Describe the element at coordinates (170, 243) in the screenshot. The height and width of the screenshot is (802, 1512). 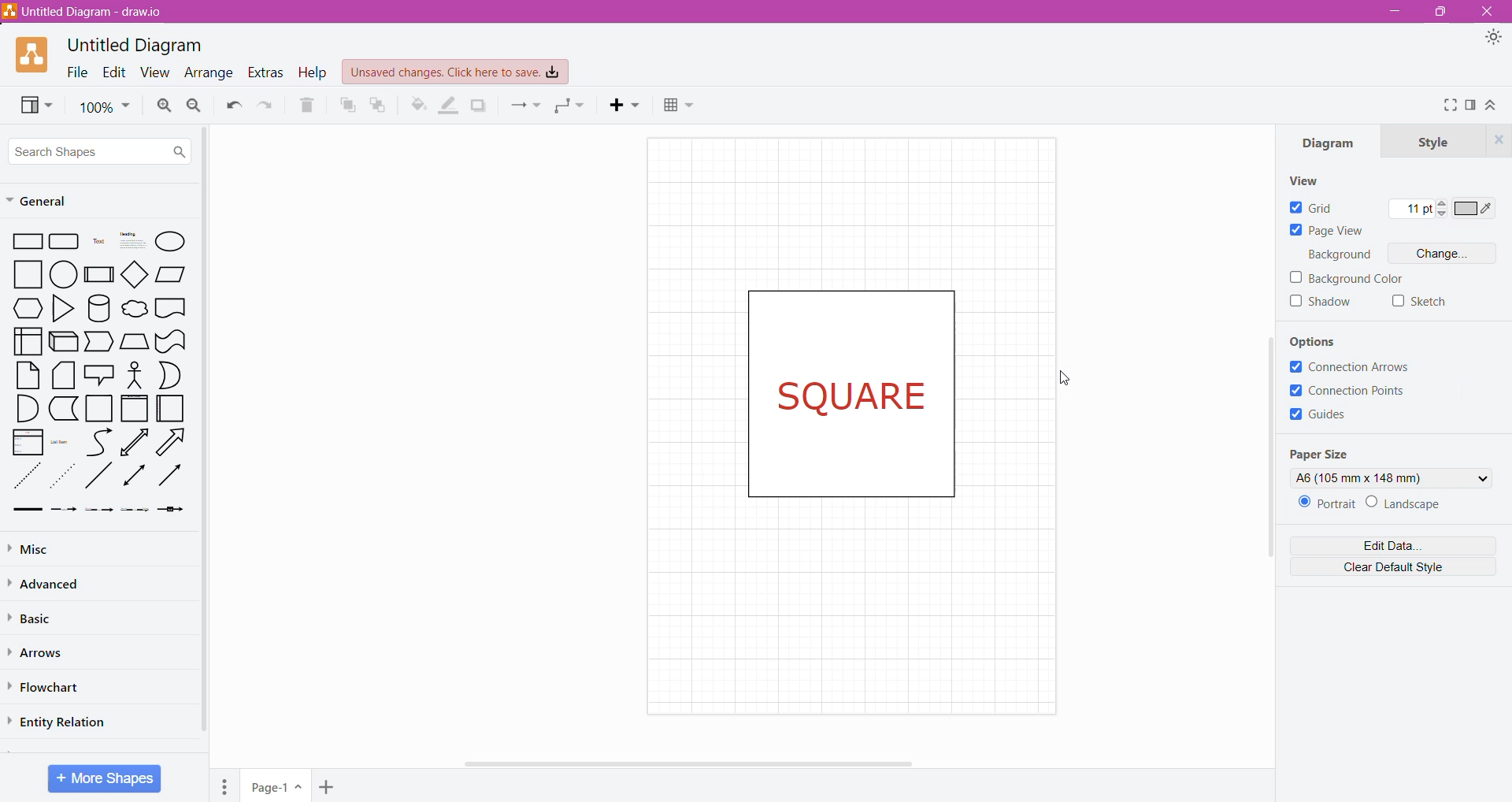
I see `Ellipse` at that location.